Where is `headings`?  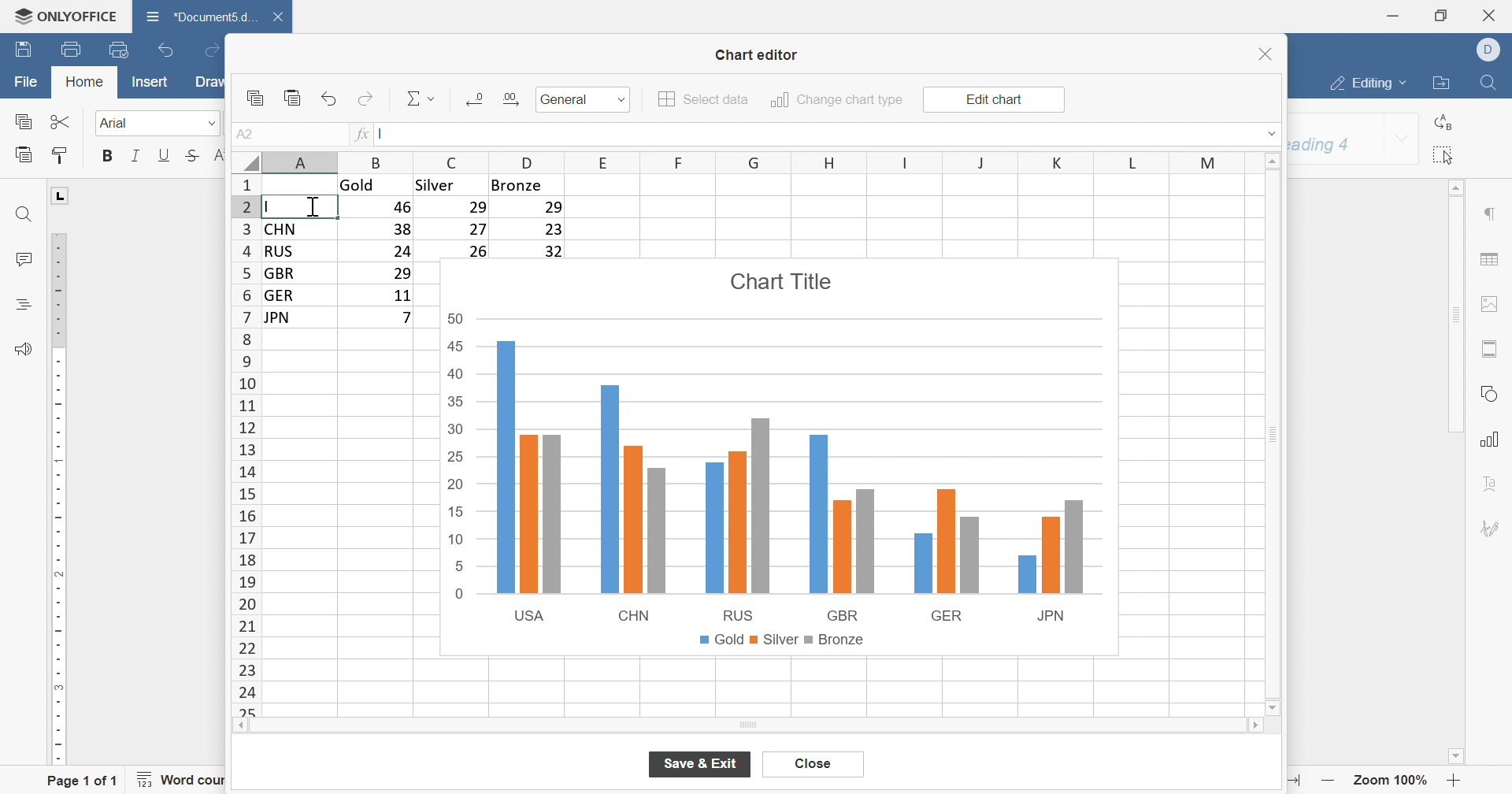 headings is located at coordinates (24, 305).